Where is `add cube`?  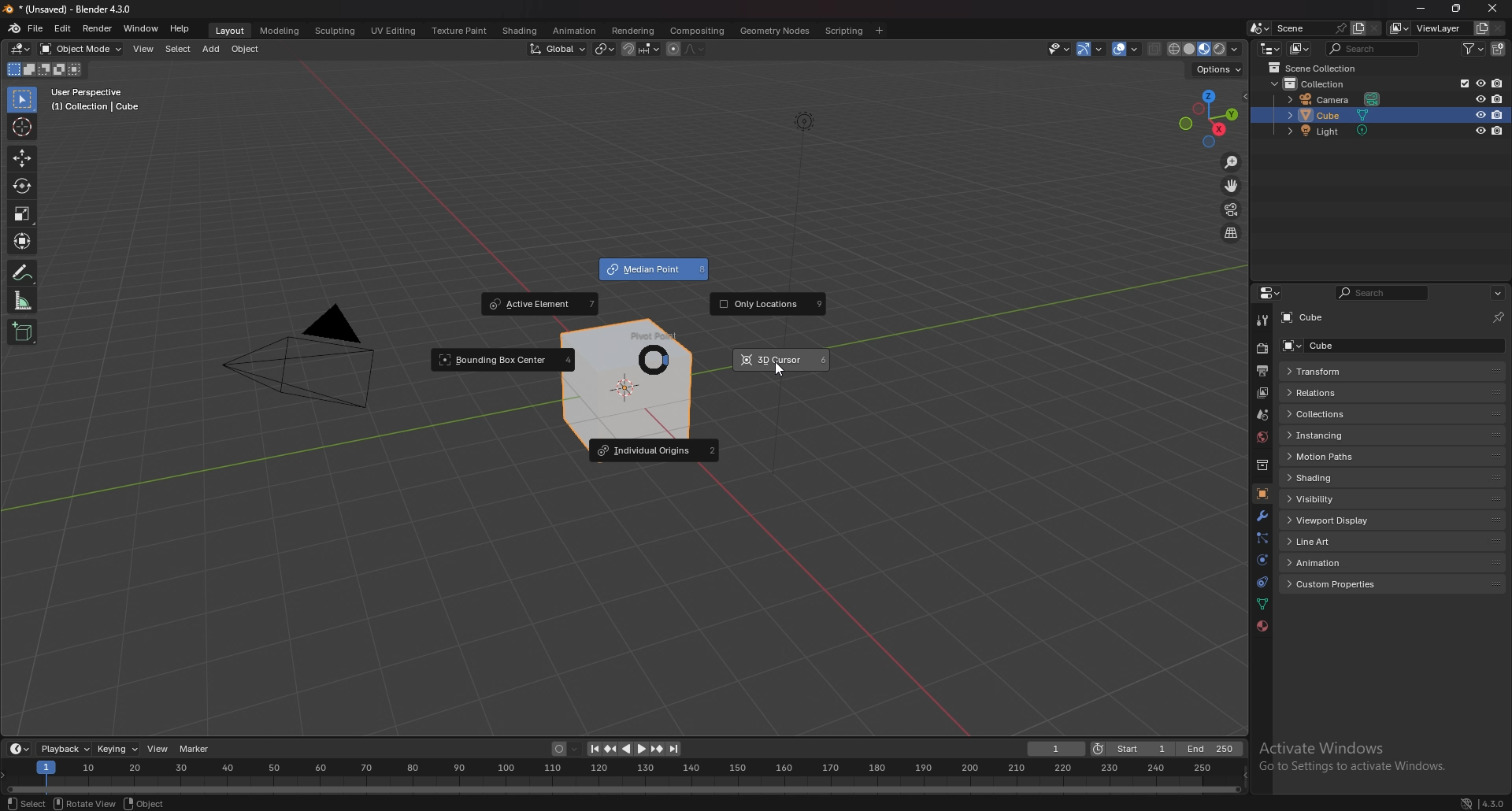
add cube is located at coordinates (22, 331).